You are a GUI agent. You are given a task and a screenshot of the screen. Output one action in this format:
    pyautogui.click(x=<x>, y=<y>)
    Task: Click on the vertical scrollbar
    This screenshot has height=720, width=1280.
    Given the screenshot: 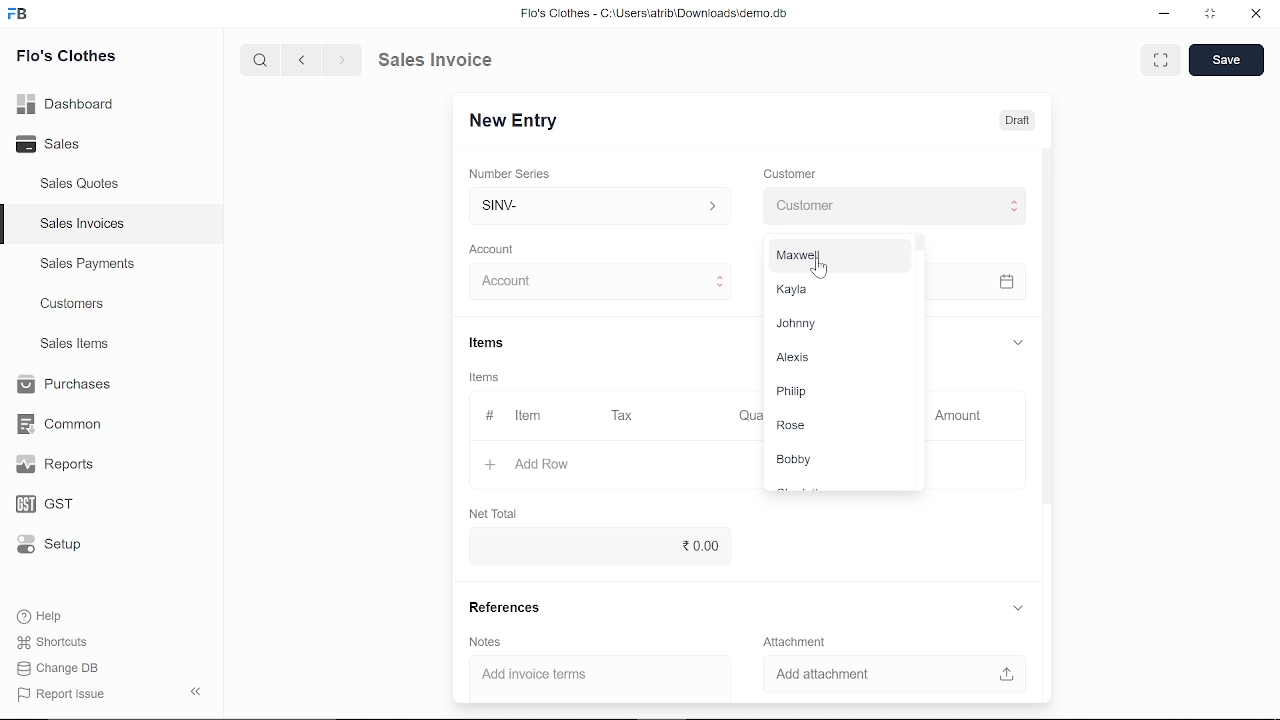 What is the action you would take?
    pyautogui.click(x=1048, y=329)
    